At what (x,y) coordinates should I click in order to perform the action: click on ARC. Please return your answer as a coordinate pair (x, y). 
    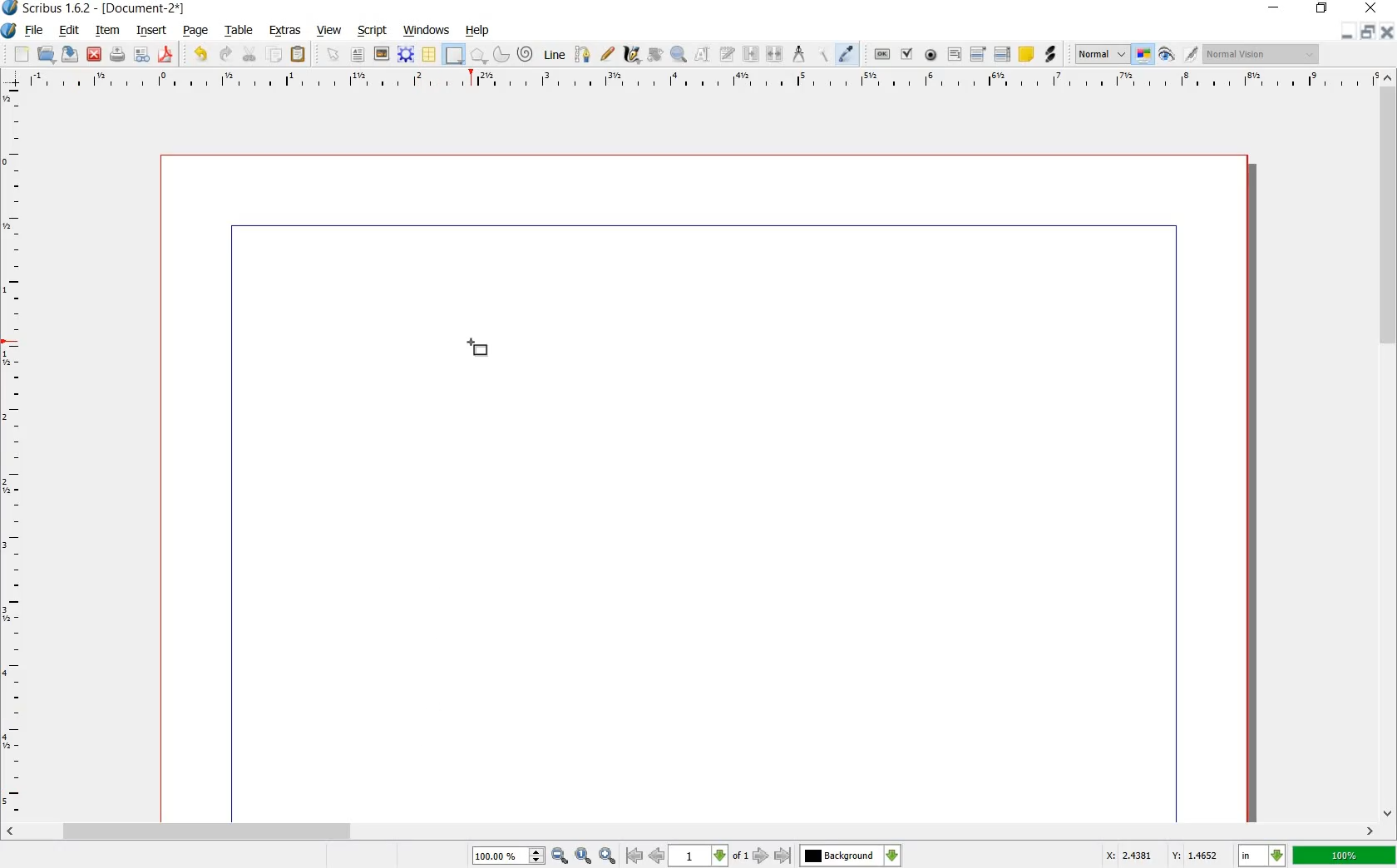
    Looking at the image, I should click on (501, 53).